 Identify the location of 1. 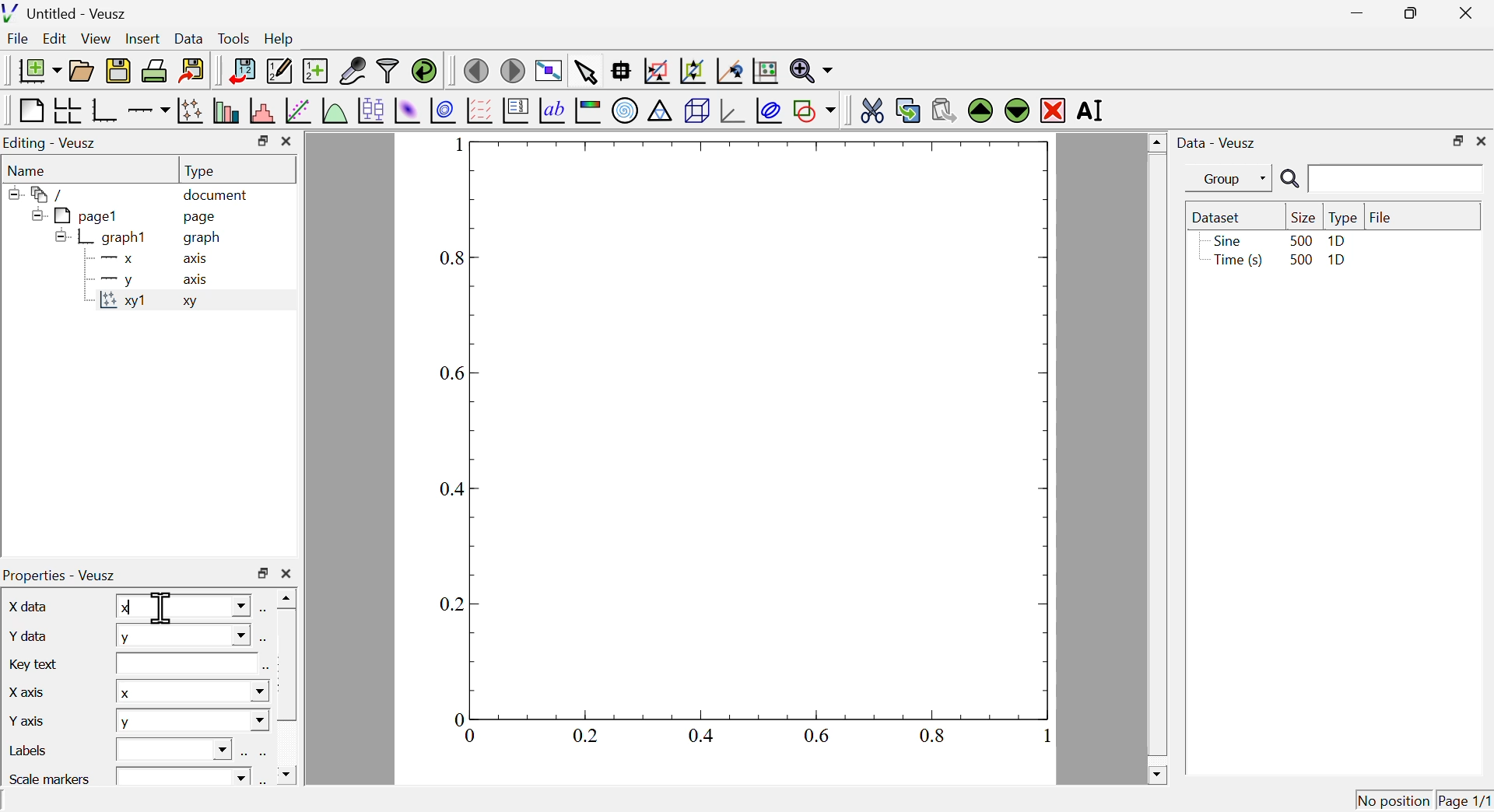
(1039, 736).